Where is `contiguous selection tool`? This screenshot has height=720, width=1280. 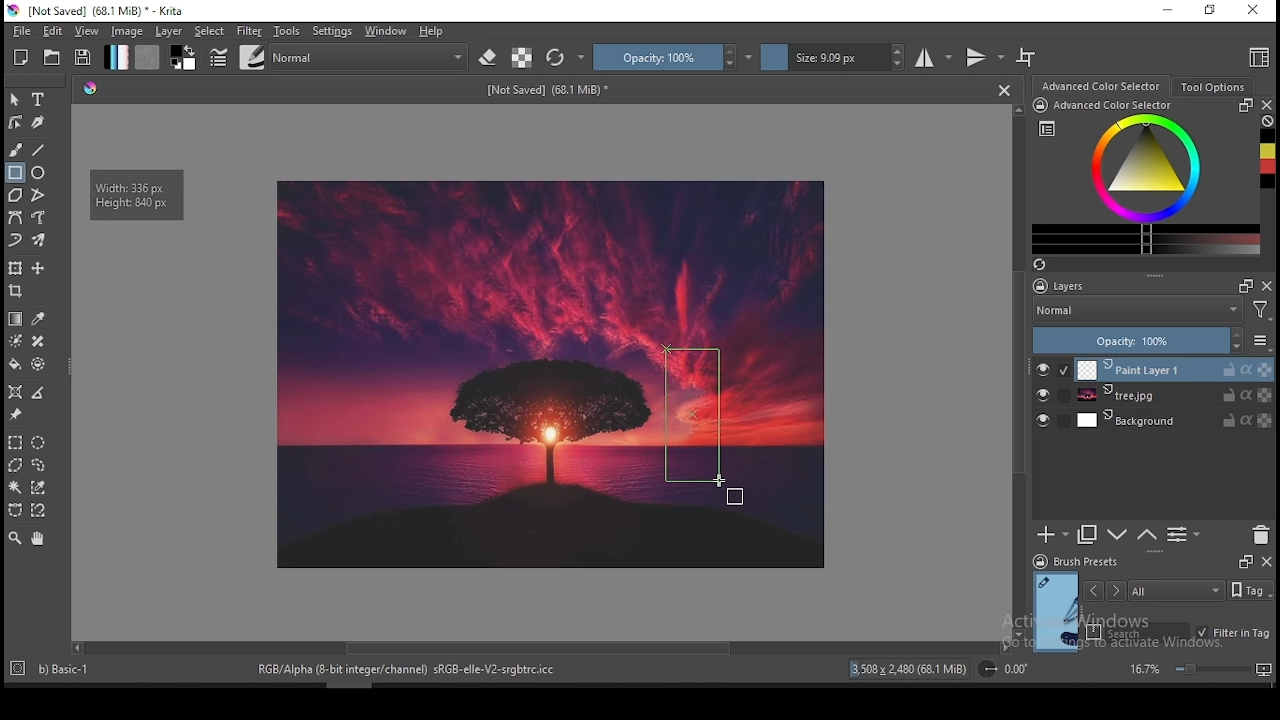 contiguous selection tool is located at coordinates (15, 488).